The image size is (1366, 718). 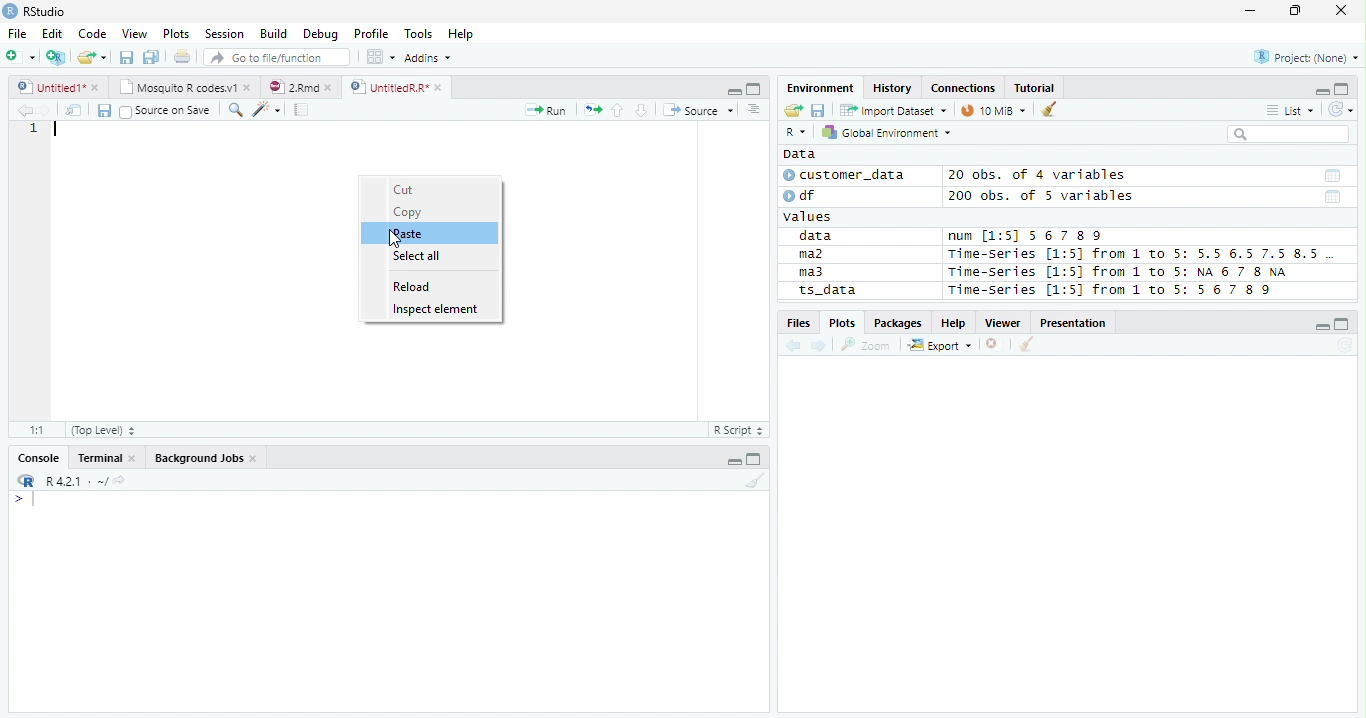 What do you see at coordinates (995, 110) in the screenshot?
I see `10 MiB` at bounding box center [995, 110].